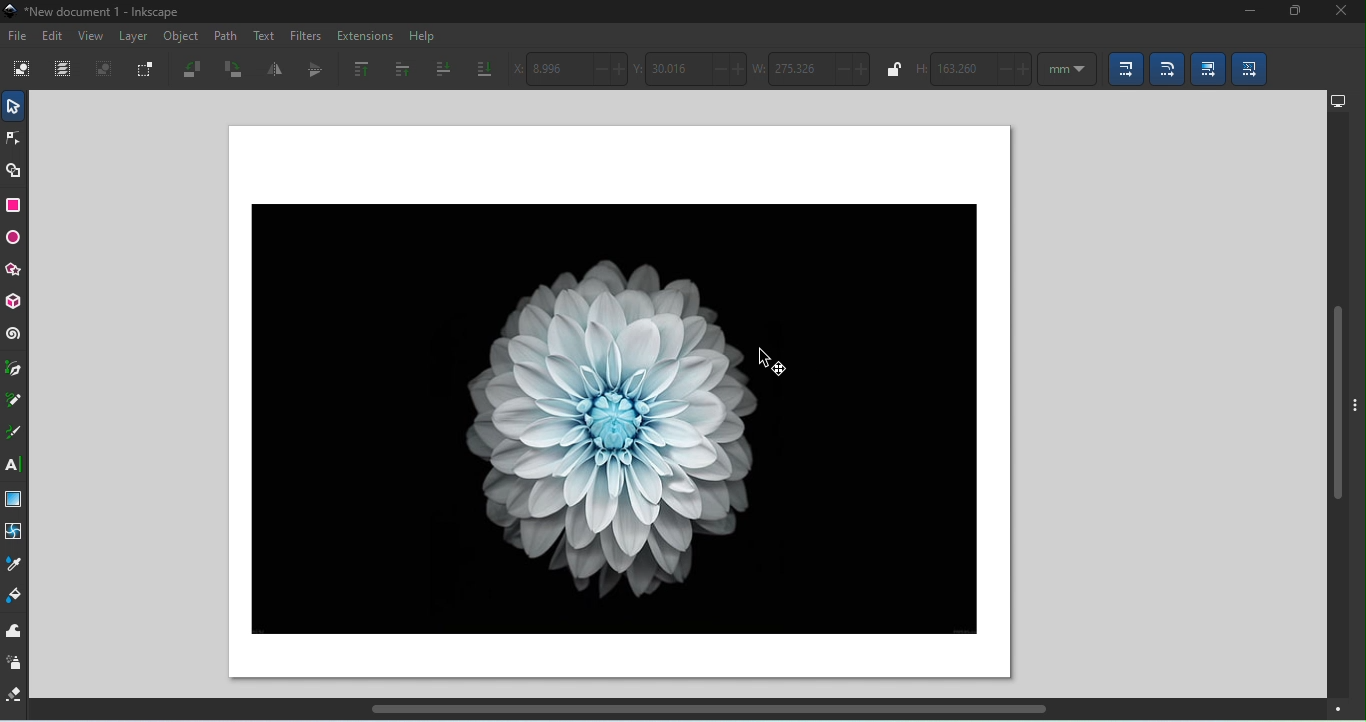  I want to click on lower selection one step, so click(440, 70).